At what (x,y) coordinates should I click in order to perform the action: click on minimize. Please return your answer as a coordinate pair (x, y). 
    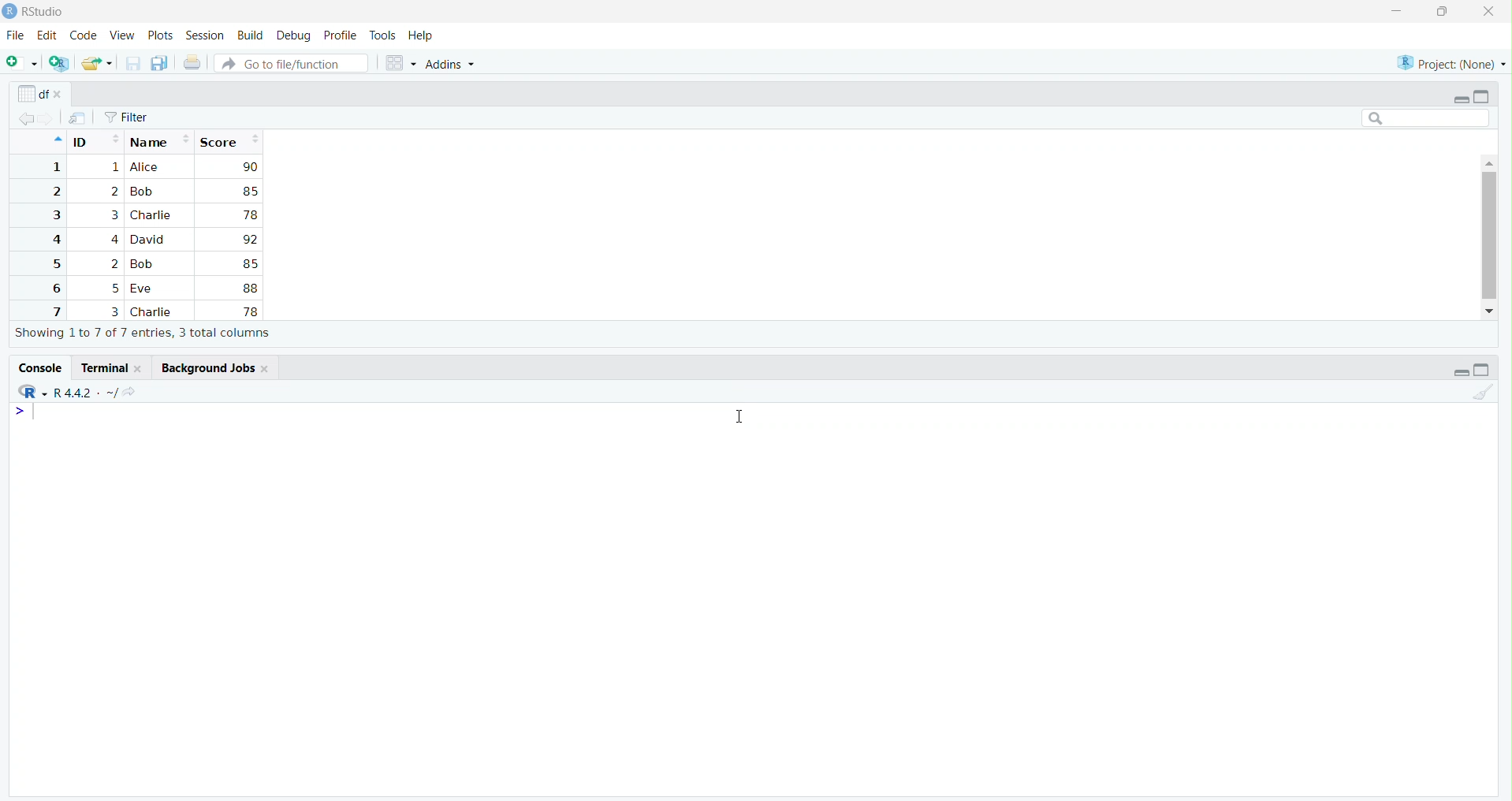
    Looking at the image, I should click on (1460, 99).